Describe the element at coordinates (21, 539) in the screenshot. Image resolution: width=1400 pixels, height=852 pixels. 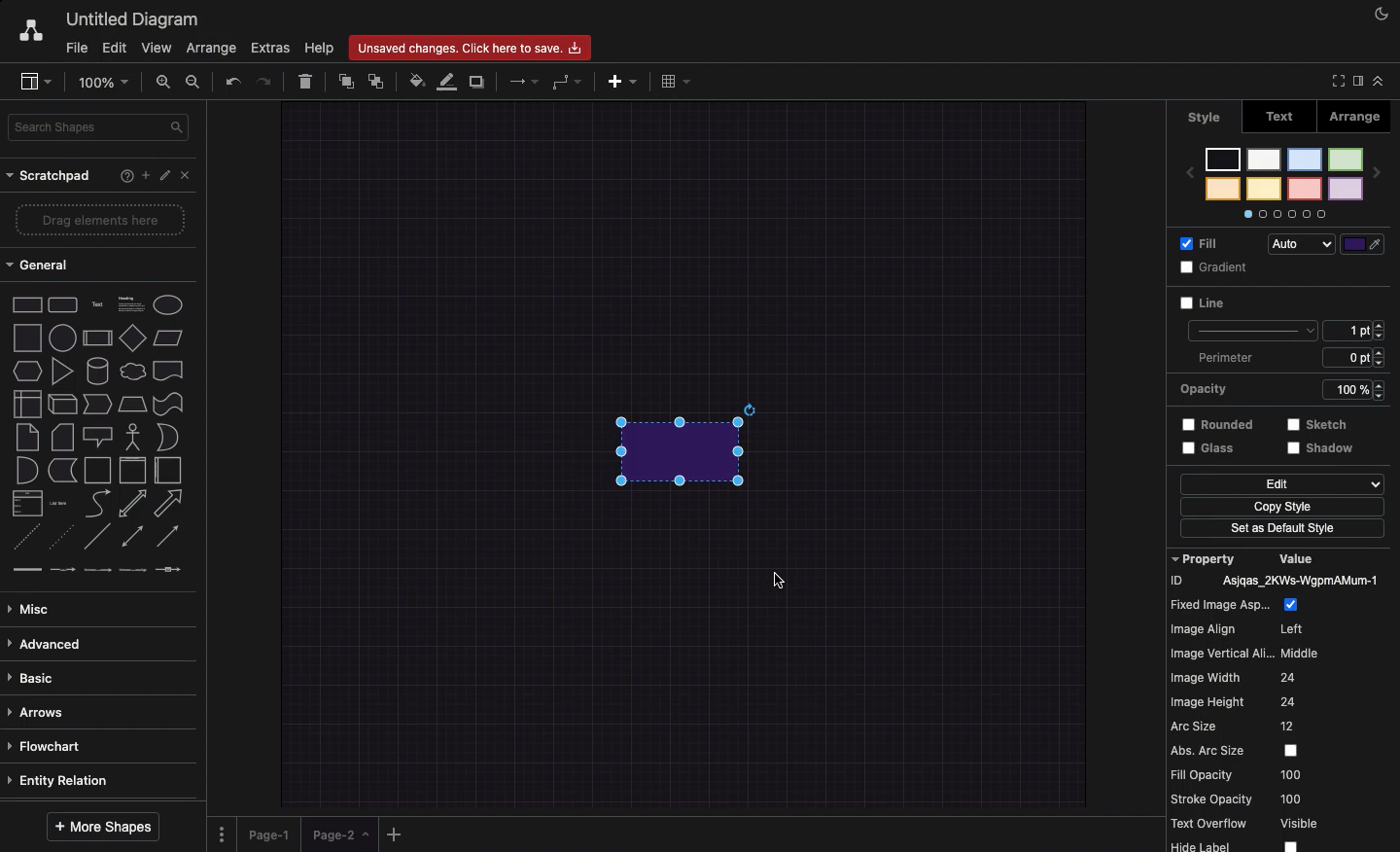
I see `dashed line` at that location.